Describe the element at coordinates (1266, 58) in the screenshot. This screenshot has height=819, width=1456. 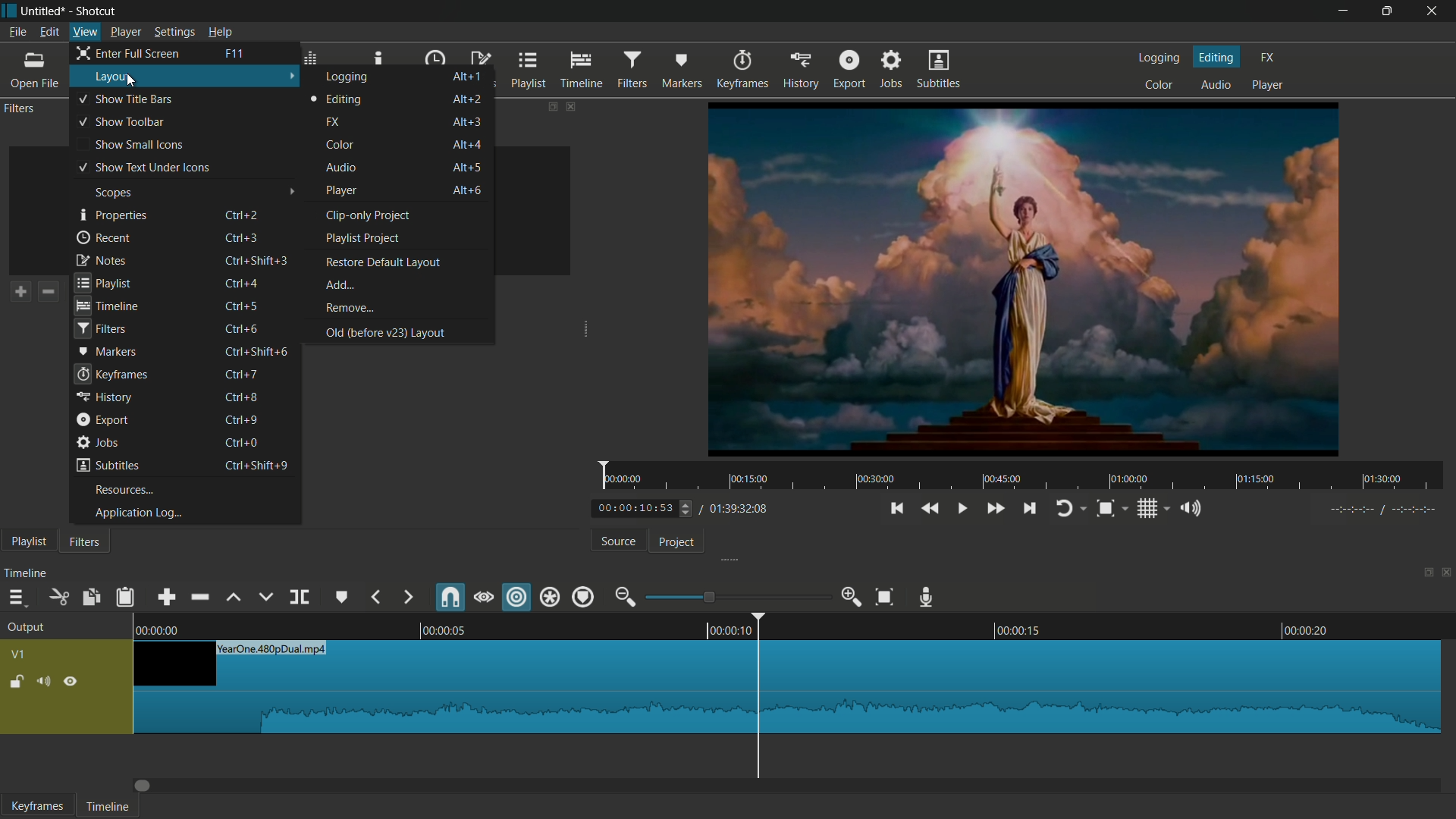
I see `fx` at that location.